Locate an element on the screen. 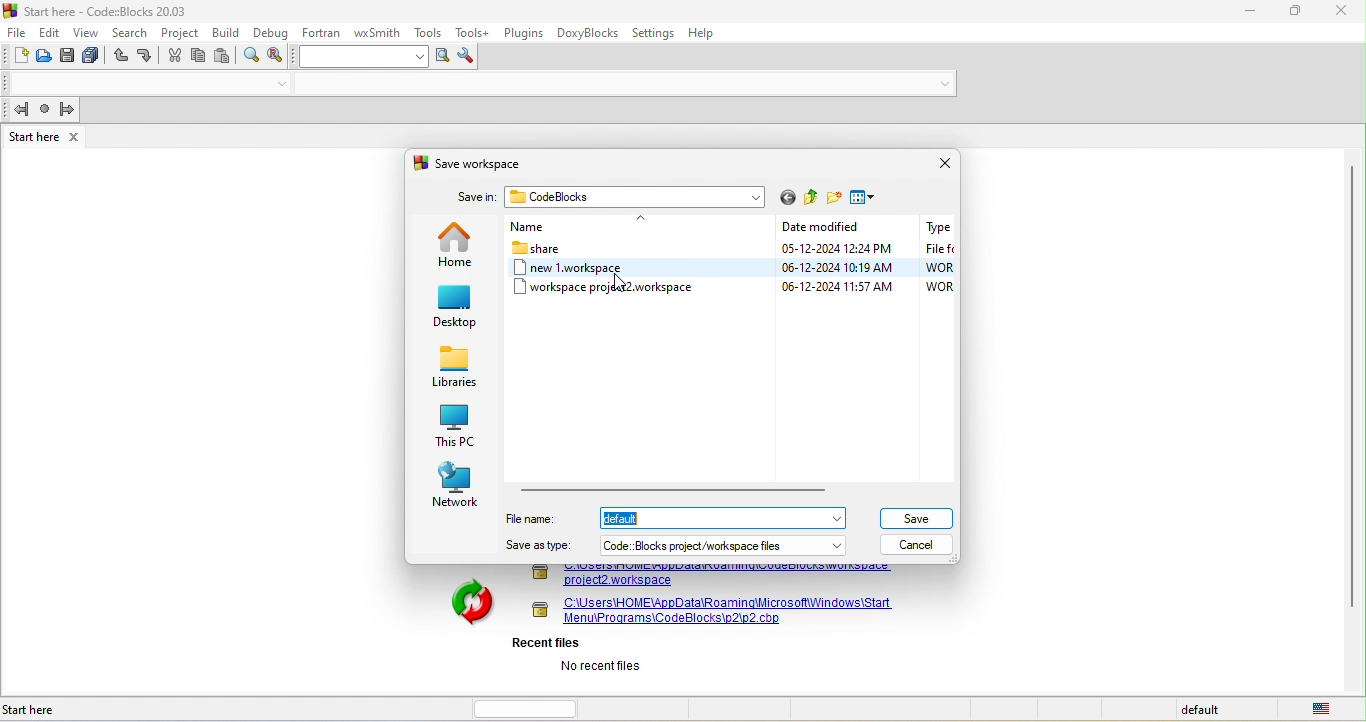 This screenshot has width=1366, height=722. go to last folder is located at coordinates (787, 198).